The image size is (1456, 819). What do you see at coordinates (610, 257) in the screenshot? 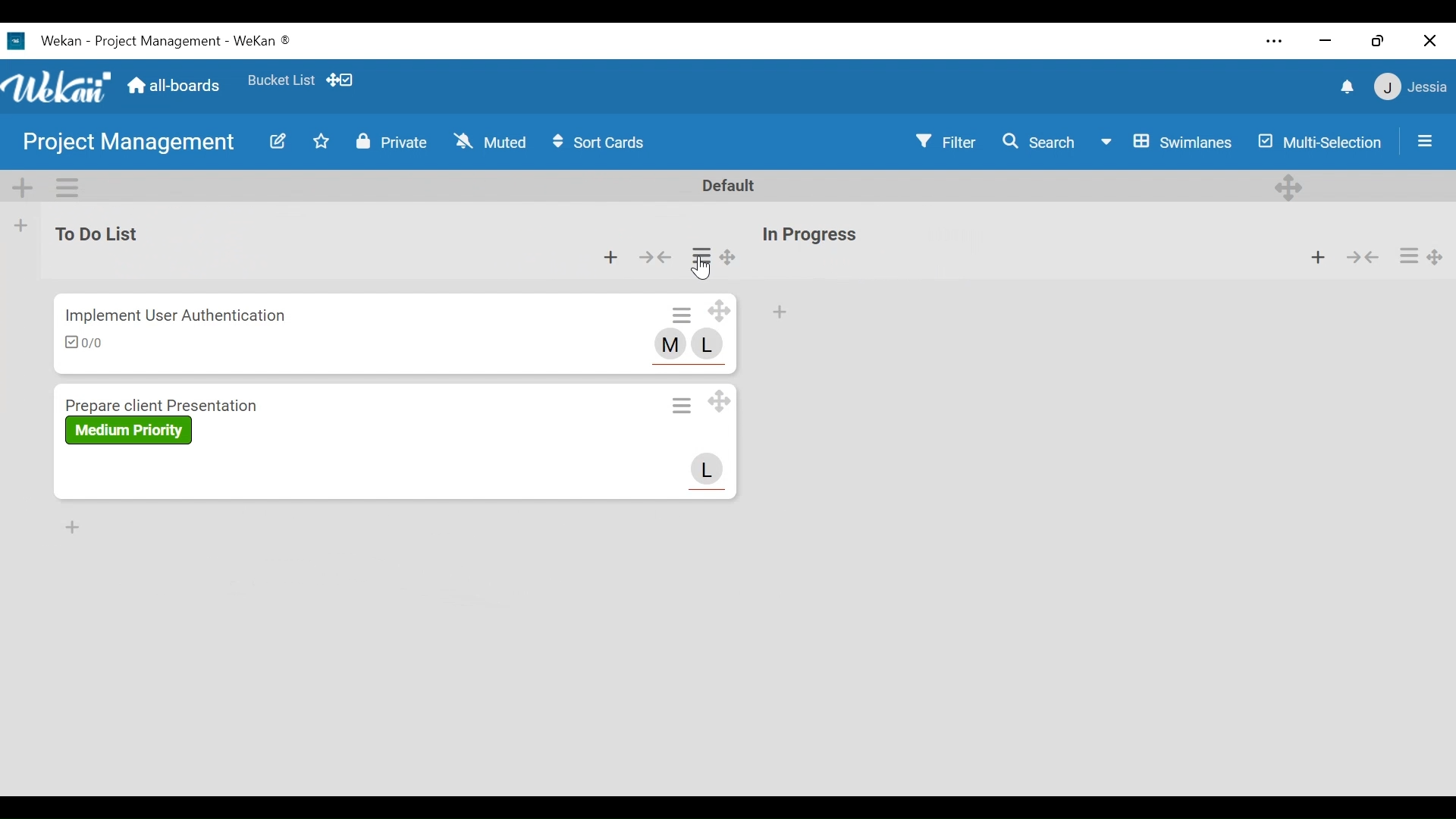
I see `Add card to the top of list` at bounding box center [610, 257].